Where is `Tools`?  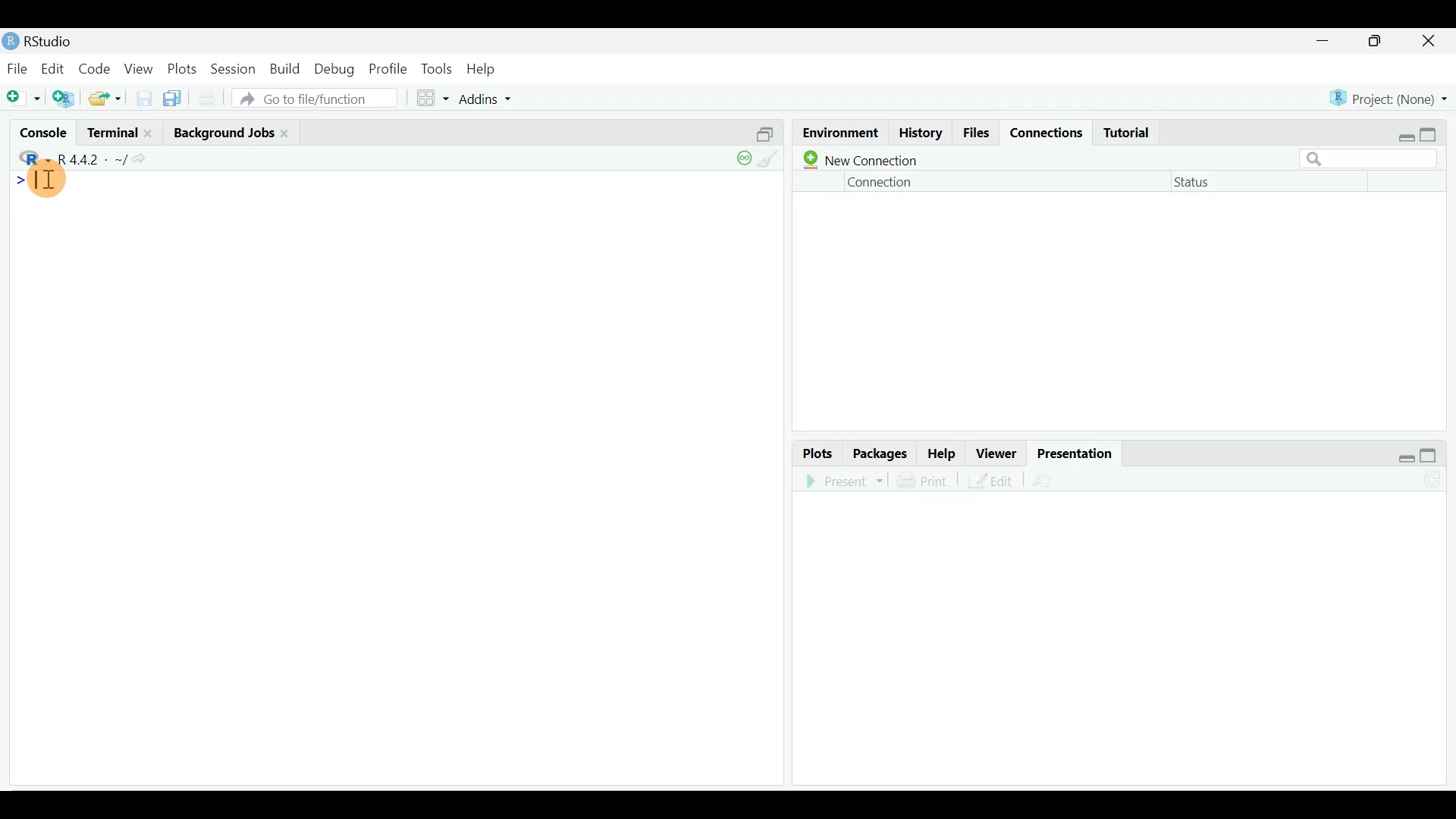 Tools is located at coordinates (438, 67).